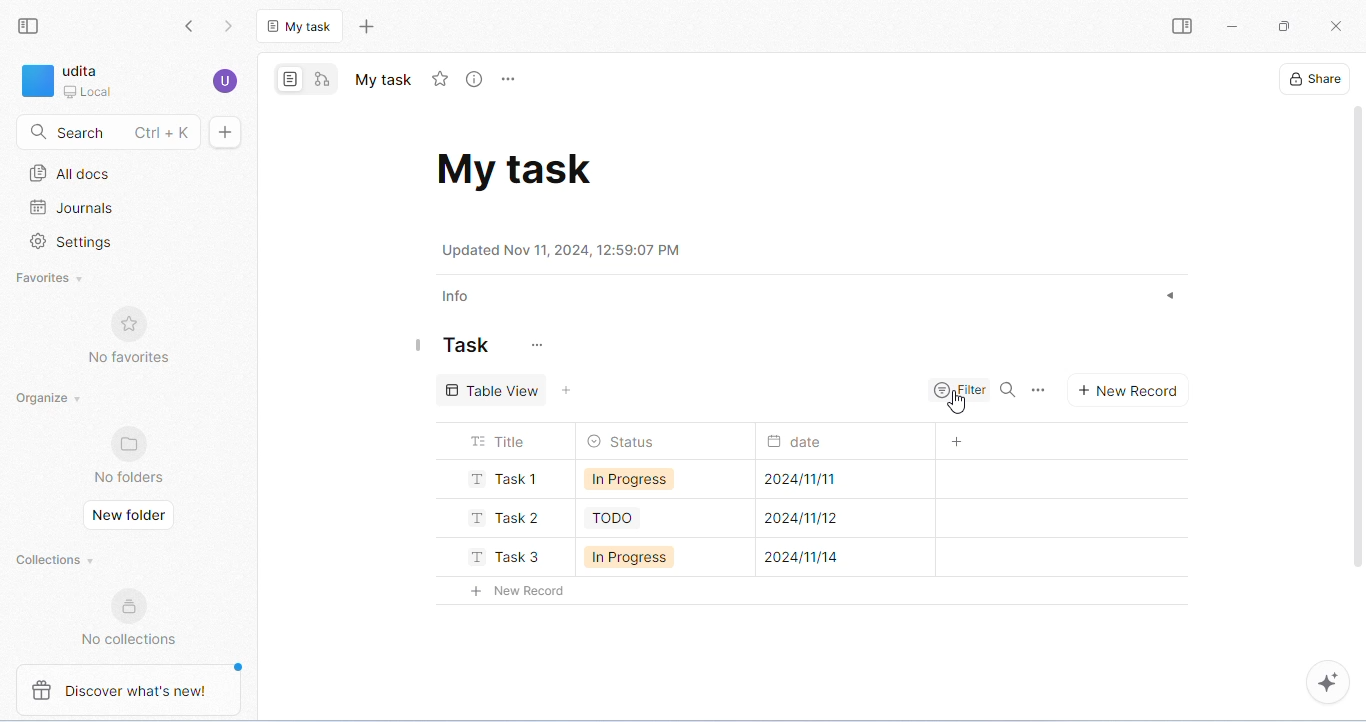 The image size is (1366, 722). What do you see at coordinates (571, 391) in the screenshot?
I see `add view` at bounding box center [571, 391].